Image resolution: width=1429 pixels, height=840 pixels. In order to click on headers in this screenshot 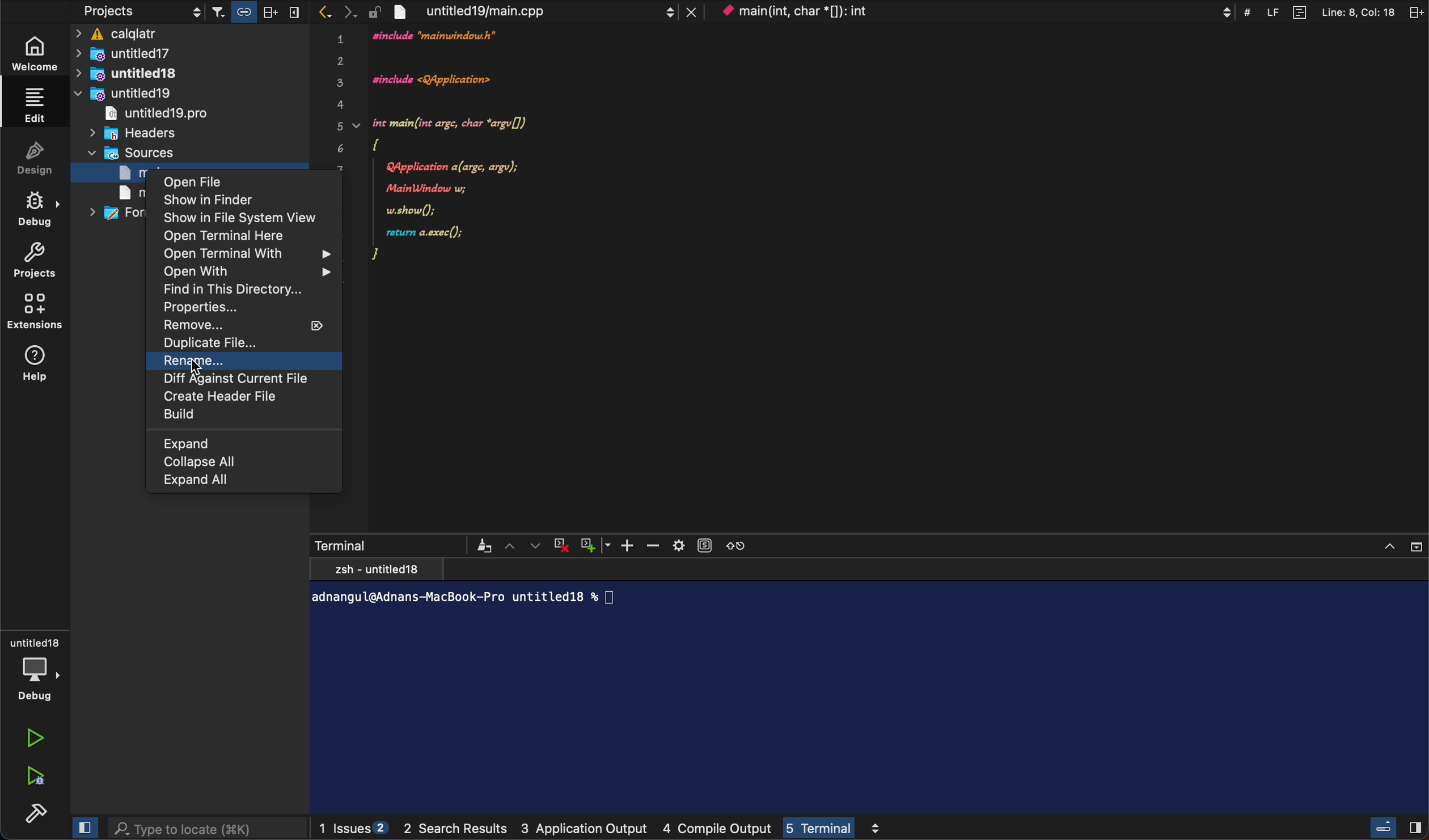, I will do `click(139, 133)`.